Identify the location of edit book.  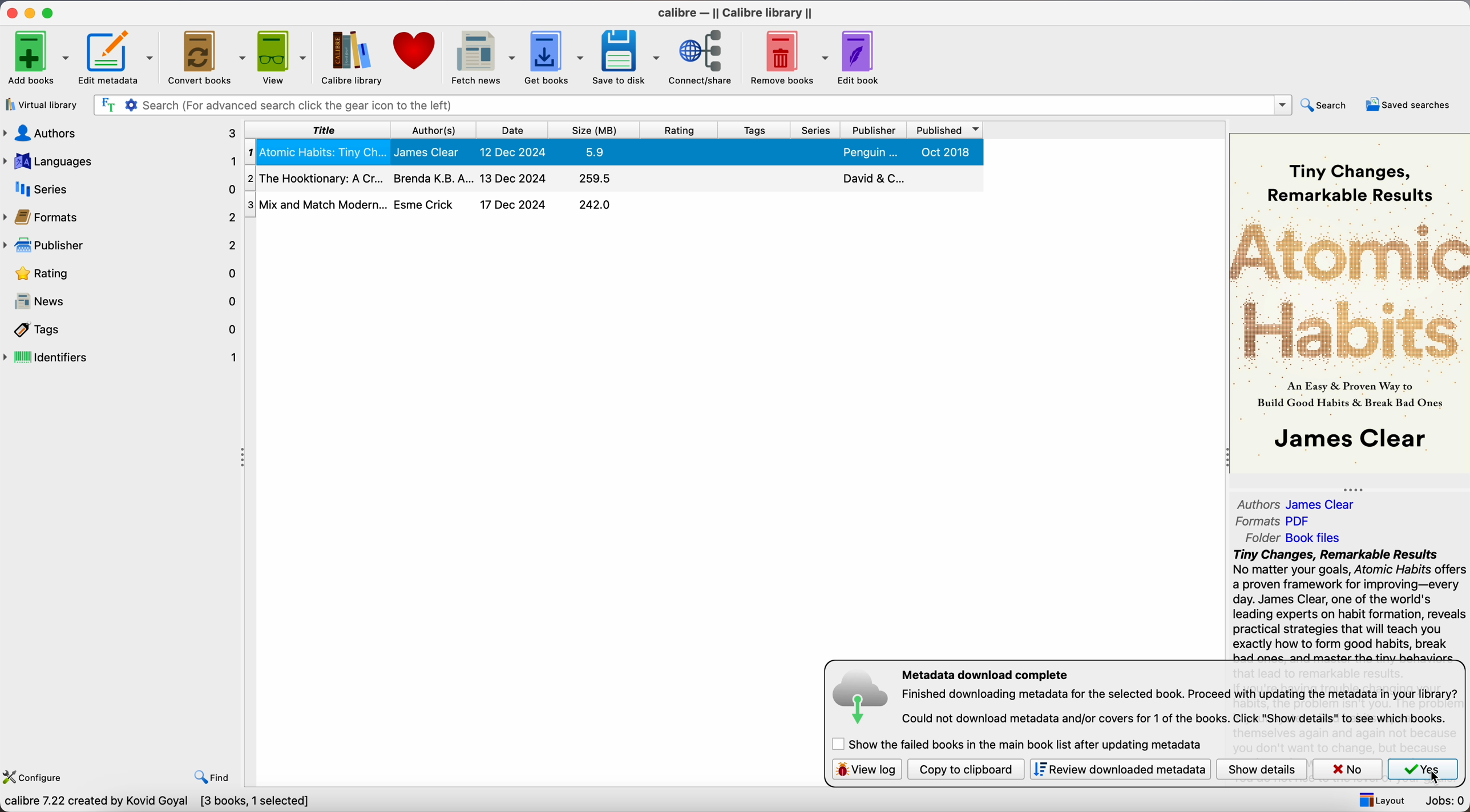
(860, 57).